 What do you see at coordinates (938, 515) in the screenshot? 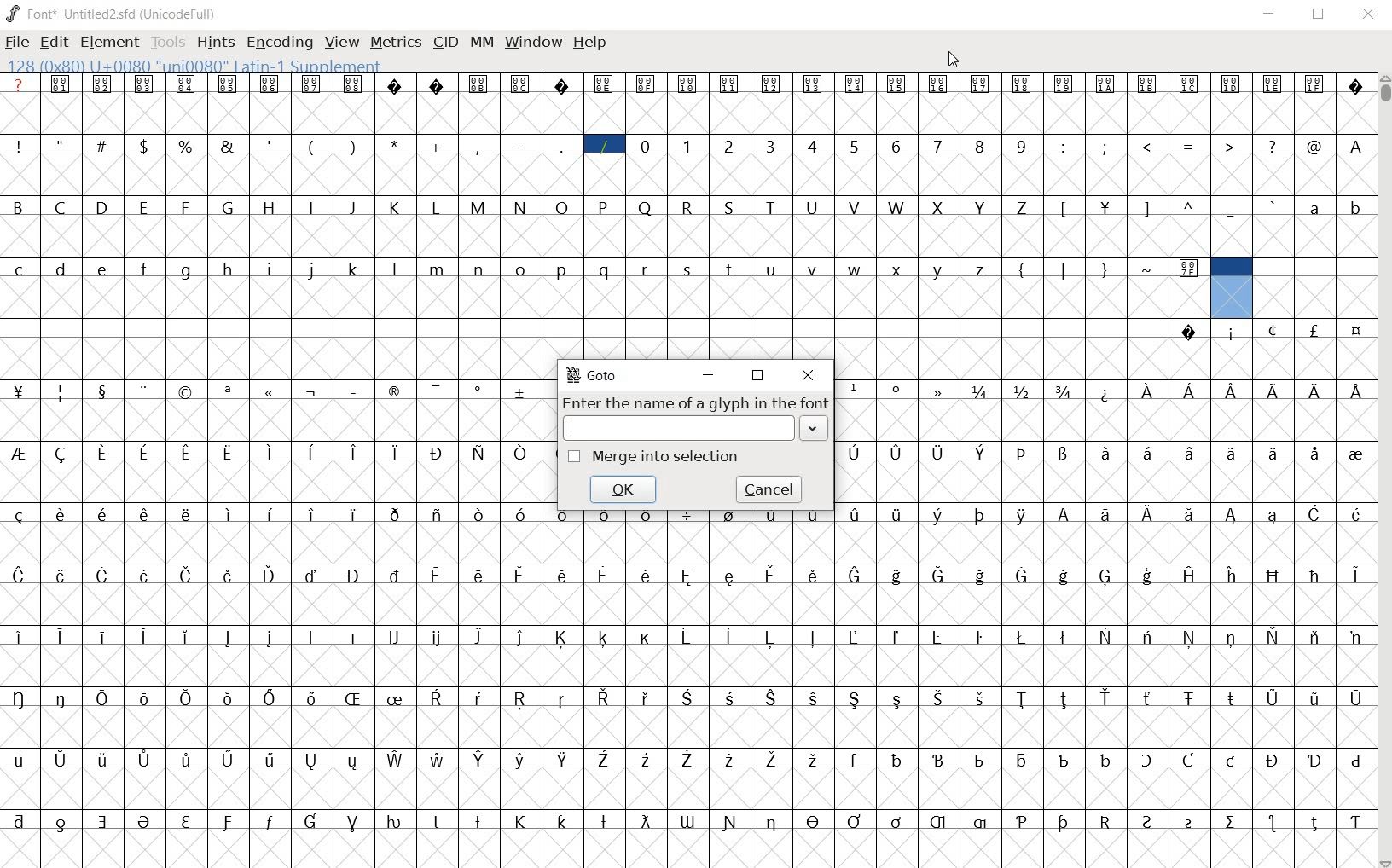
I see `Symbol` at bounding box center [938, 515].